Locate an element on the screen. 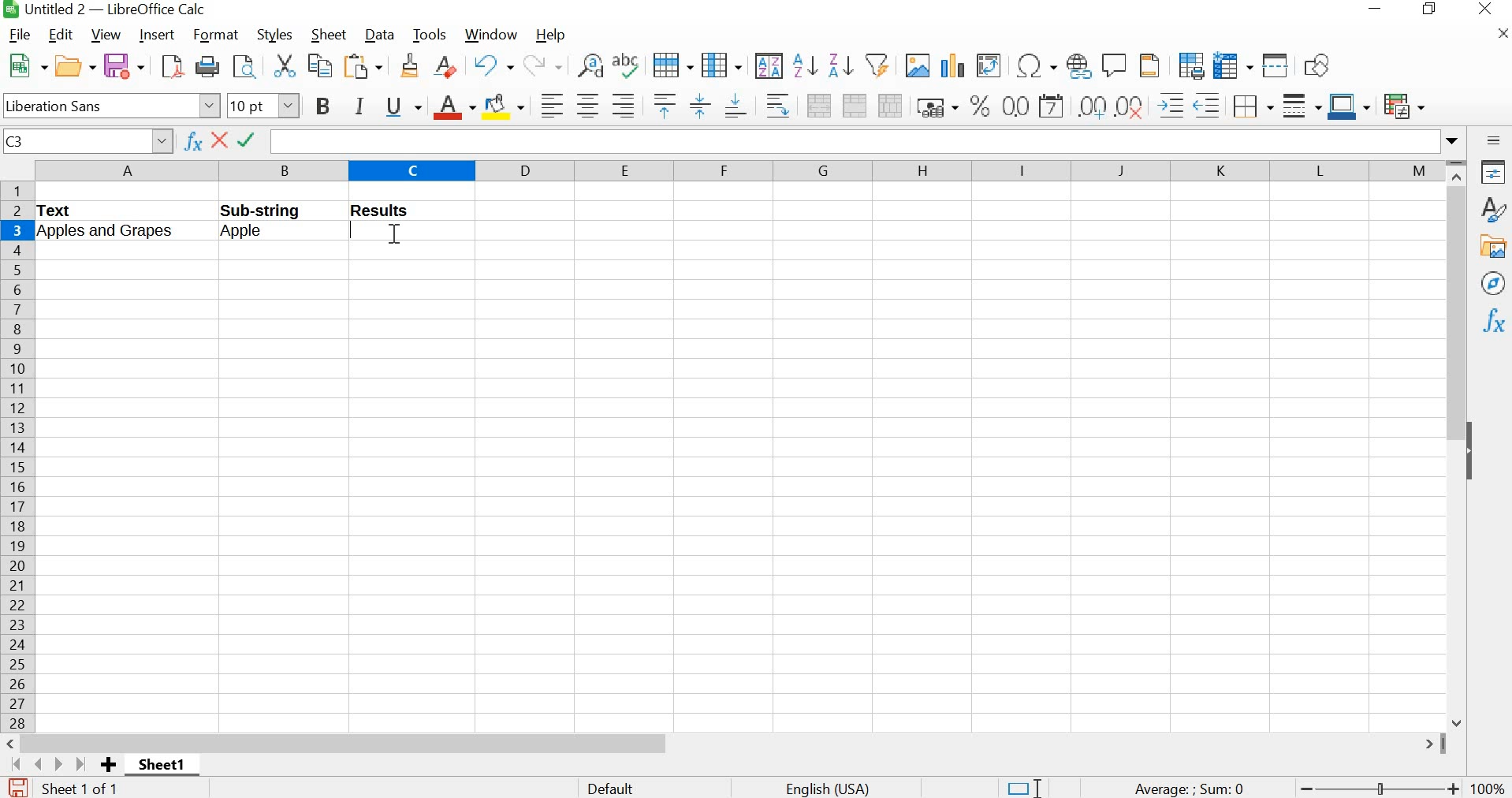 This screenshot has width=1512, height=798. select formula is located at coordinates (249, 143).